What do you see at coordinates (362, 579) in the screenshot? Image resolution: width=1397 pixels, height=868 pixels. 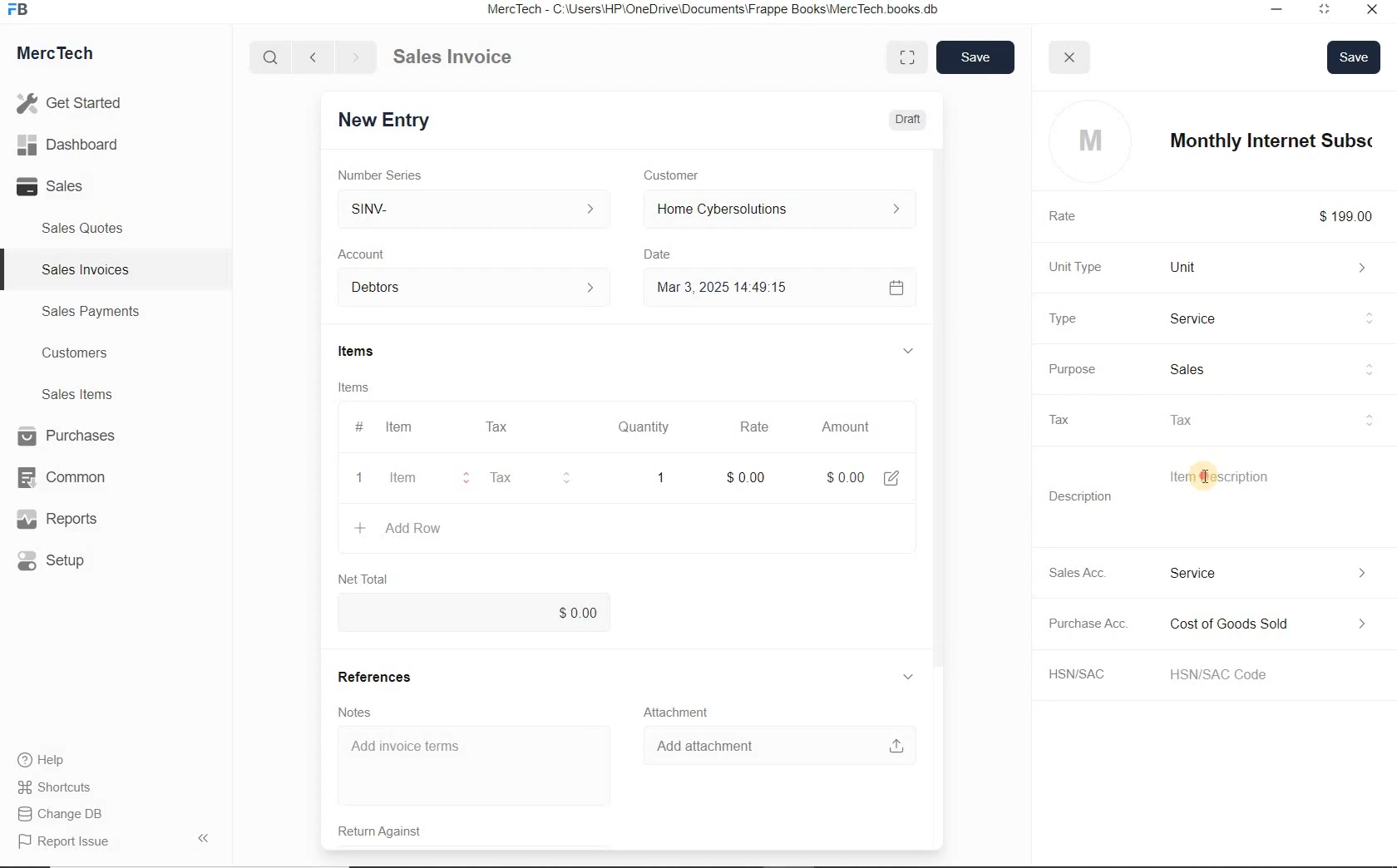 I see `Net Total` at bounding box center [362, 579].